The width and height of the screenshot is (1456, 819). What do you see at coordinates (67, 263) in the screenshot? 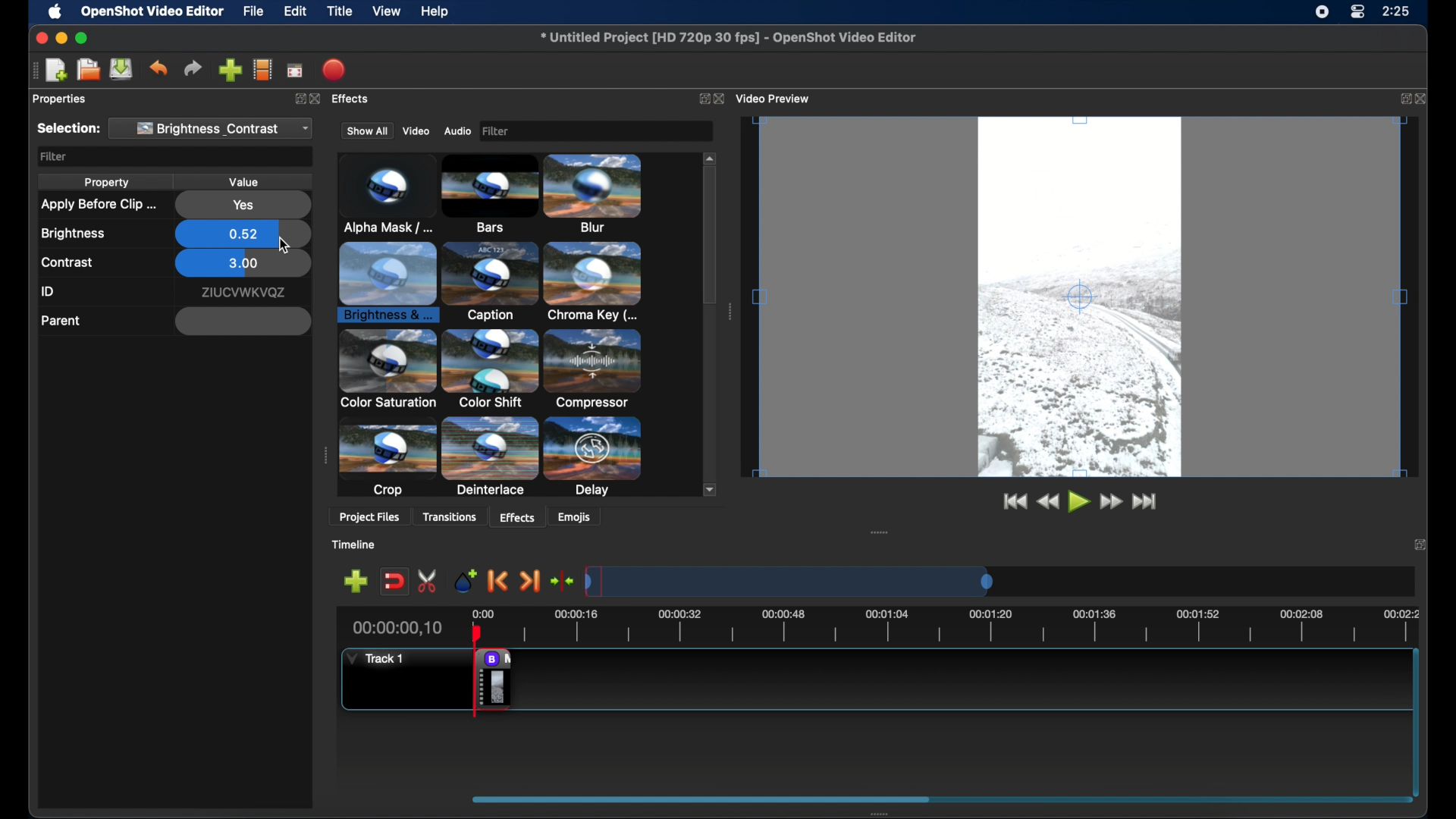
I see `contrast` at bounding box center [67, 263].